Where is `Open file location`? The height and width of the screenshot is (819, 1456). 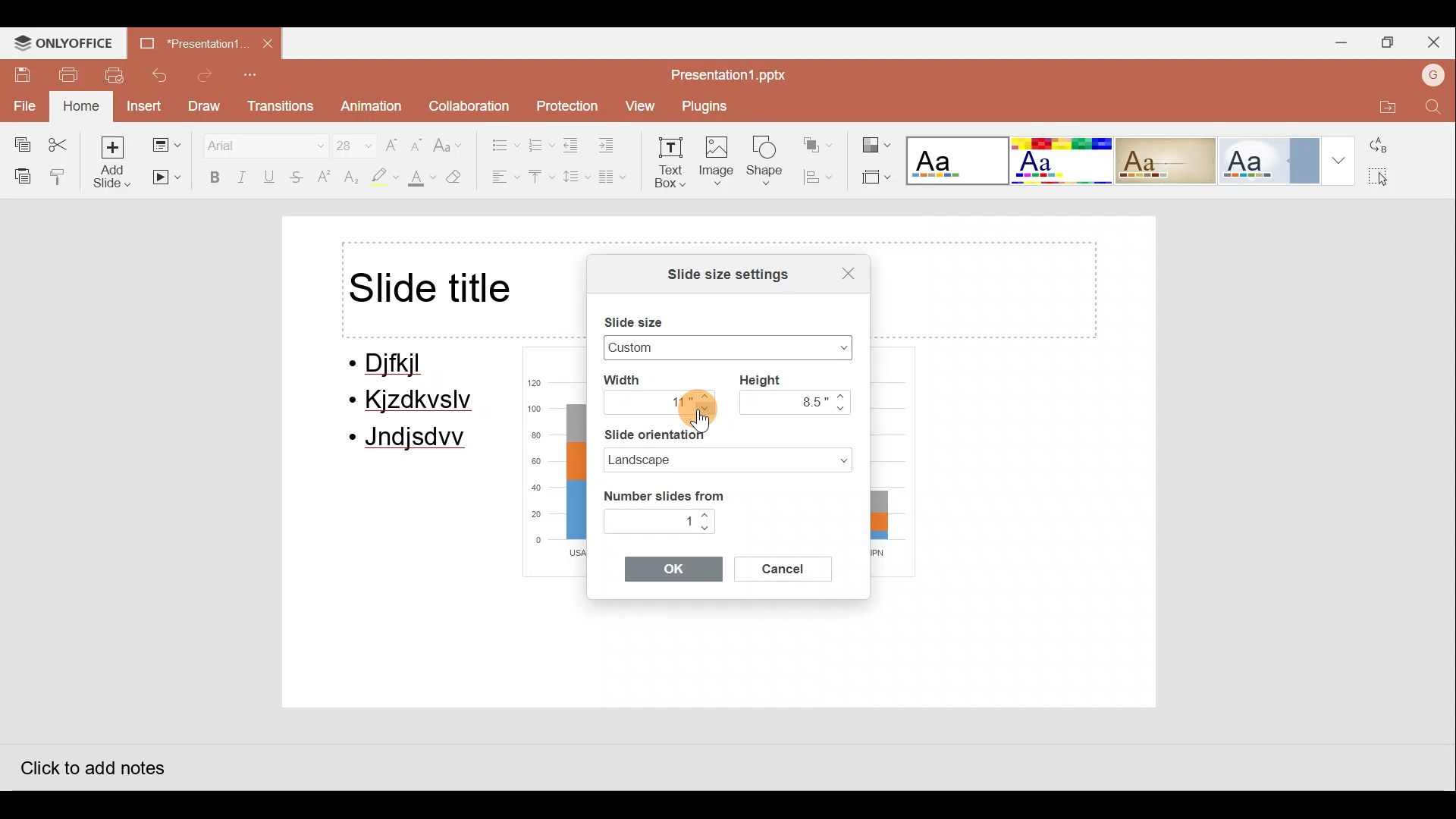 Open file location is located at coordinates (1382, 104).